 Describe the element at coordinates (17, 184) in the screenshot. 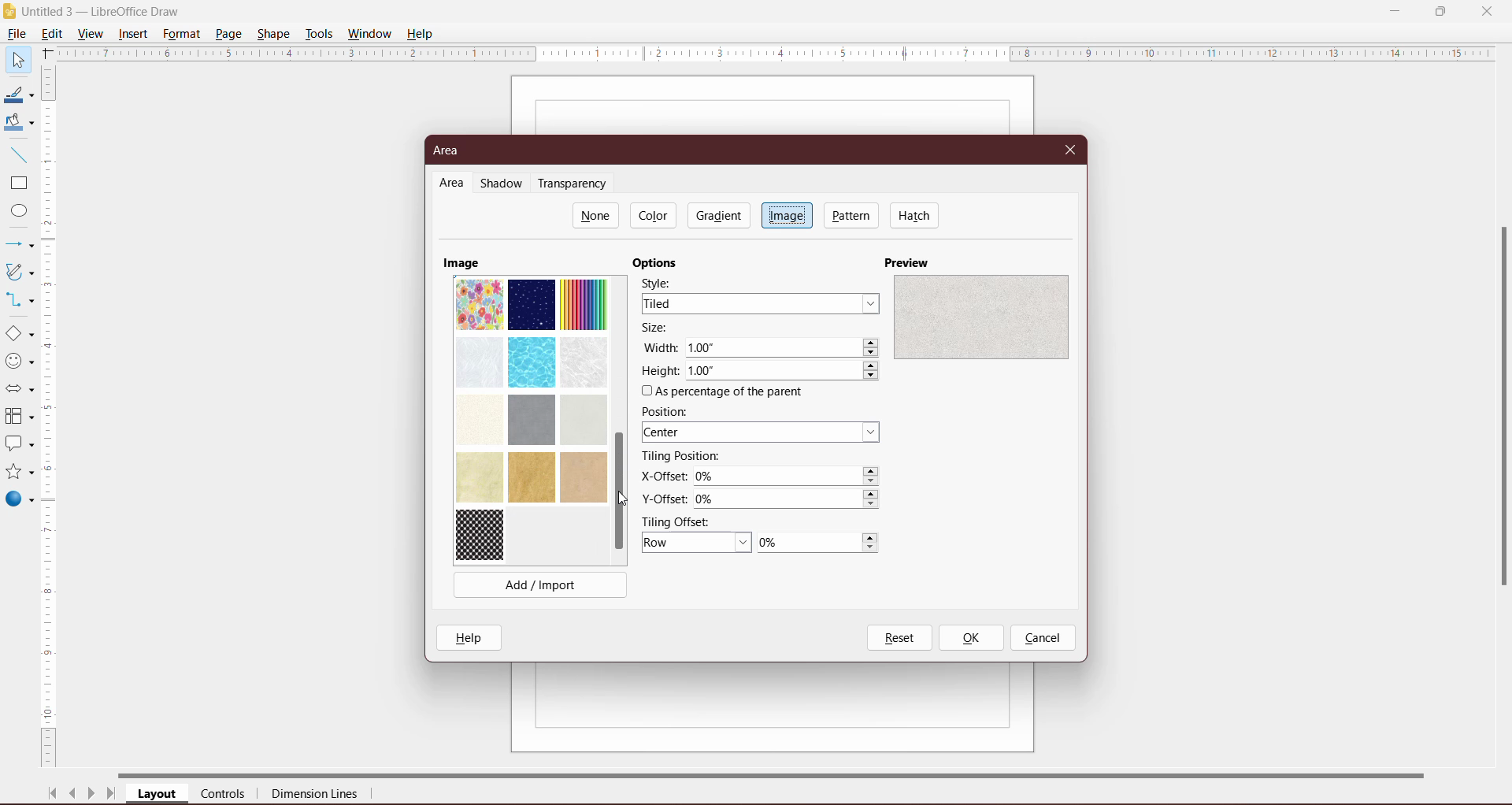

I see `Rectangle` at that location.